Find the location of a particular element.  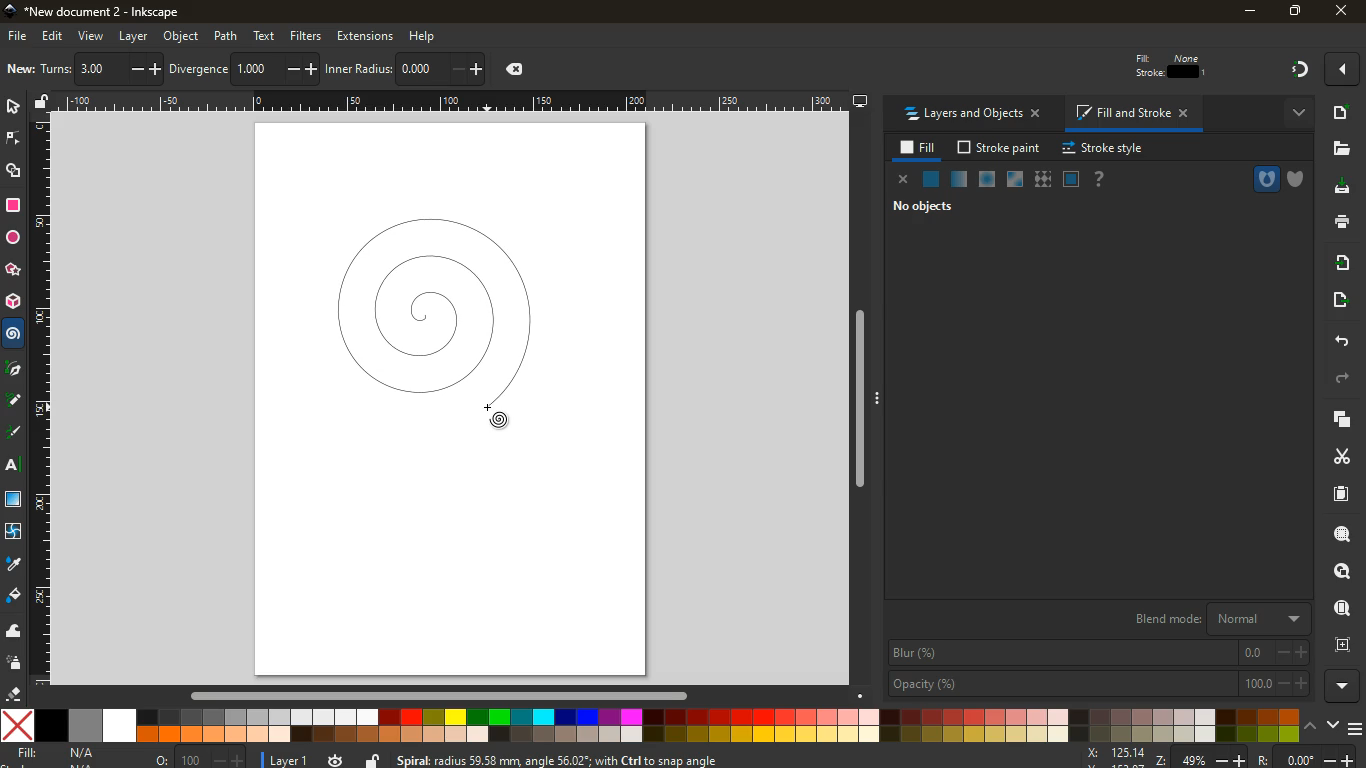

back is located at coordinates (1339, 341).